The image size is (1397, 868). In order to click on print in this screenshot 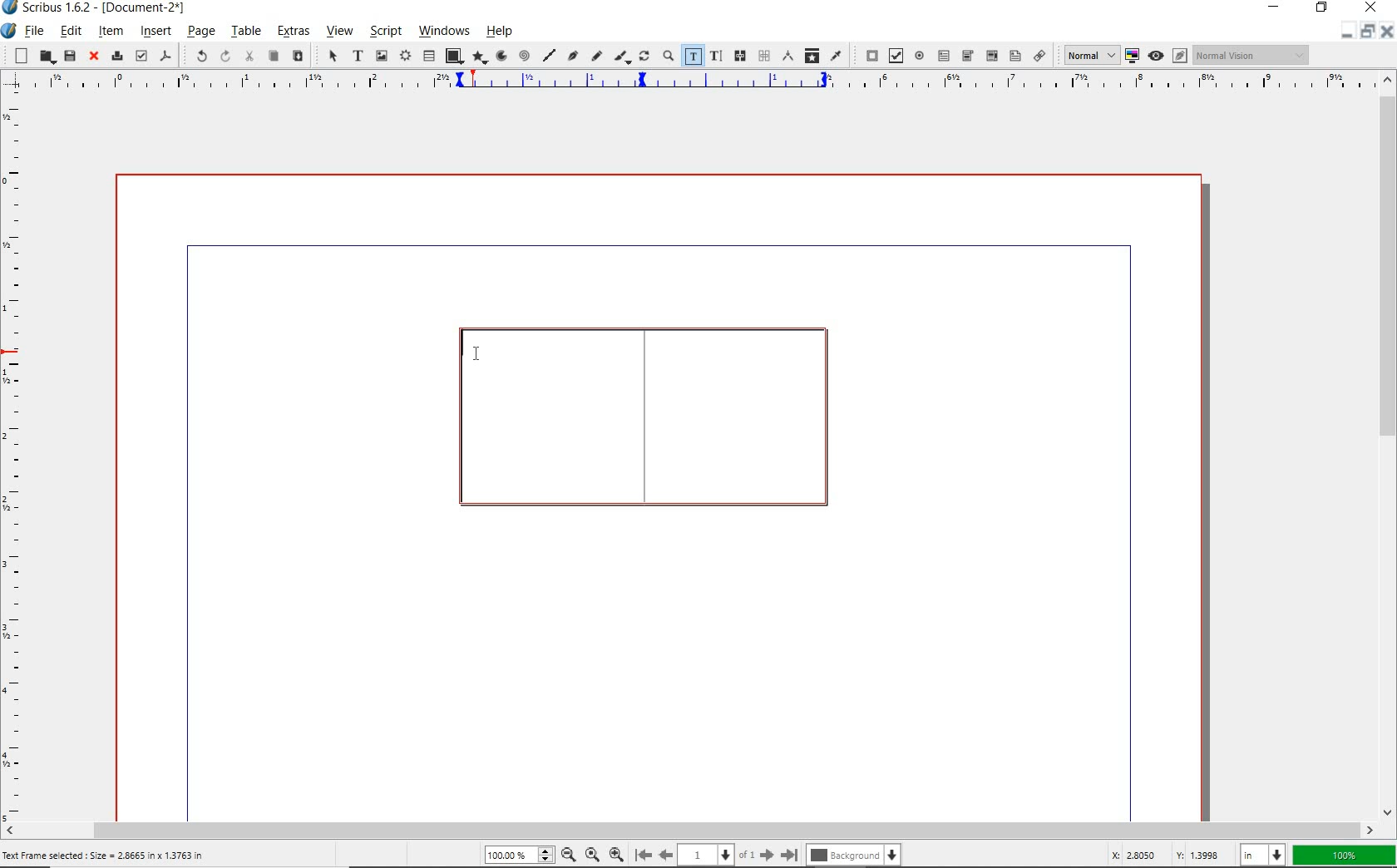, I will do `click(116, 57)`.